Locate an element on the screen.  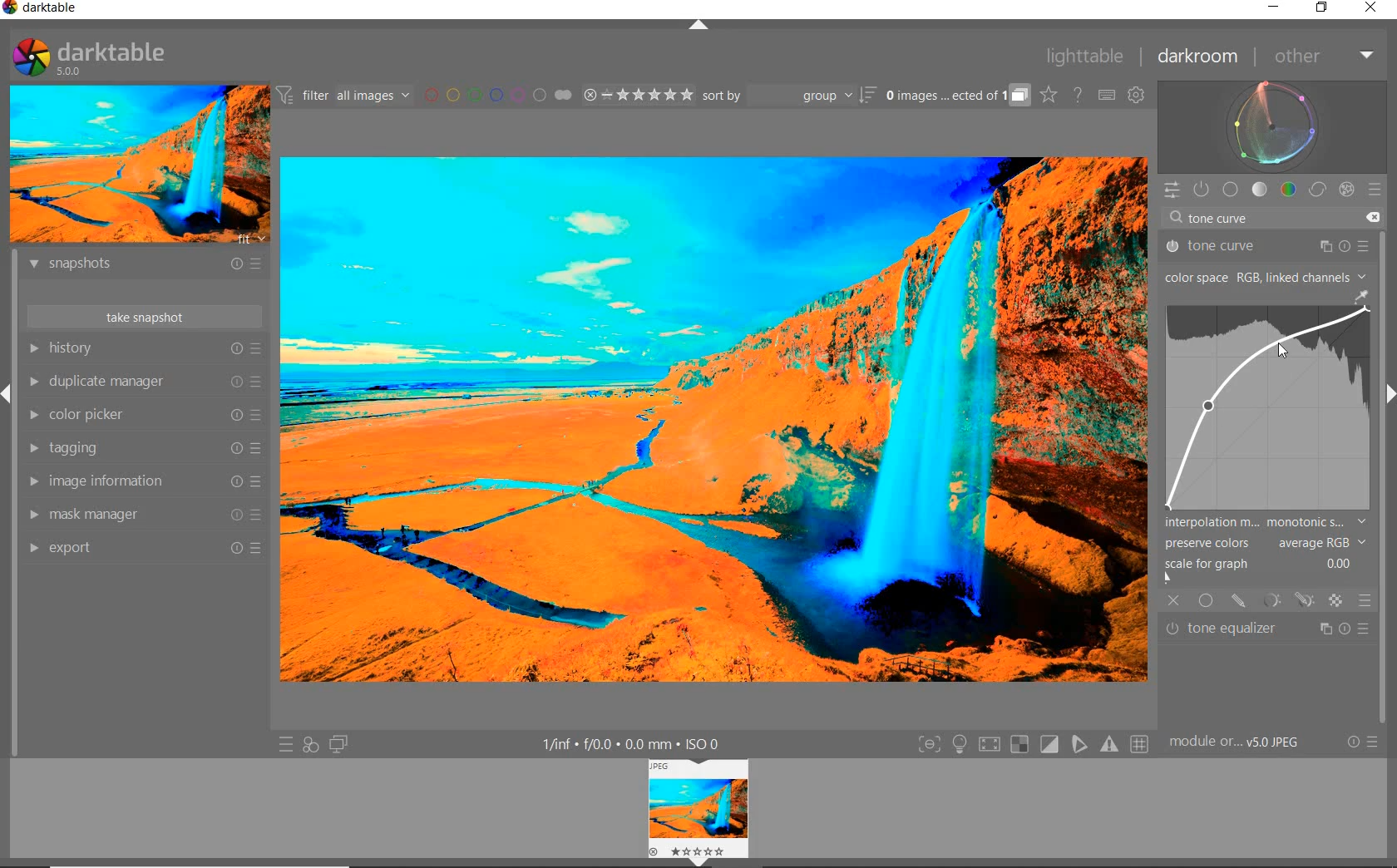
tone is located at coordinates (1260, 190).